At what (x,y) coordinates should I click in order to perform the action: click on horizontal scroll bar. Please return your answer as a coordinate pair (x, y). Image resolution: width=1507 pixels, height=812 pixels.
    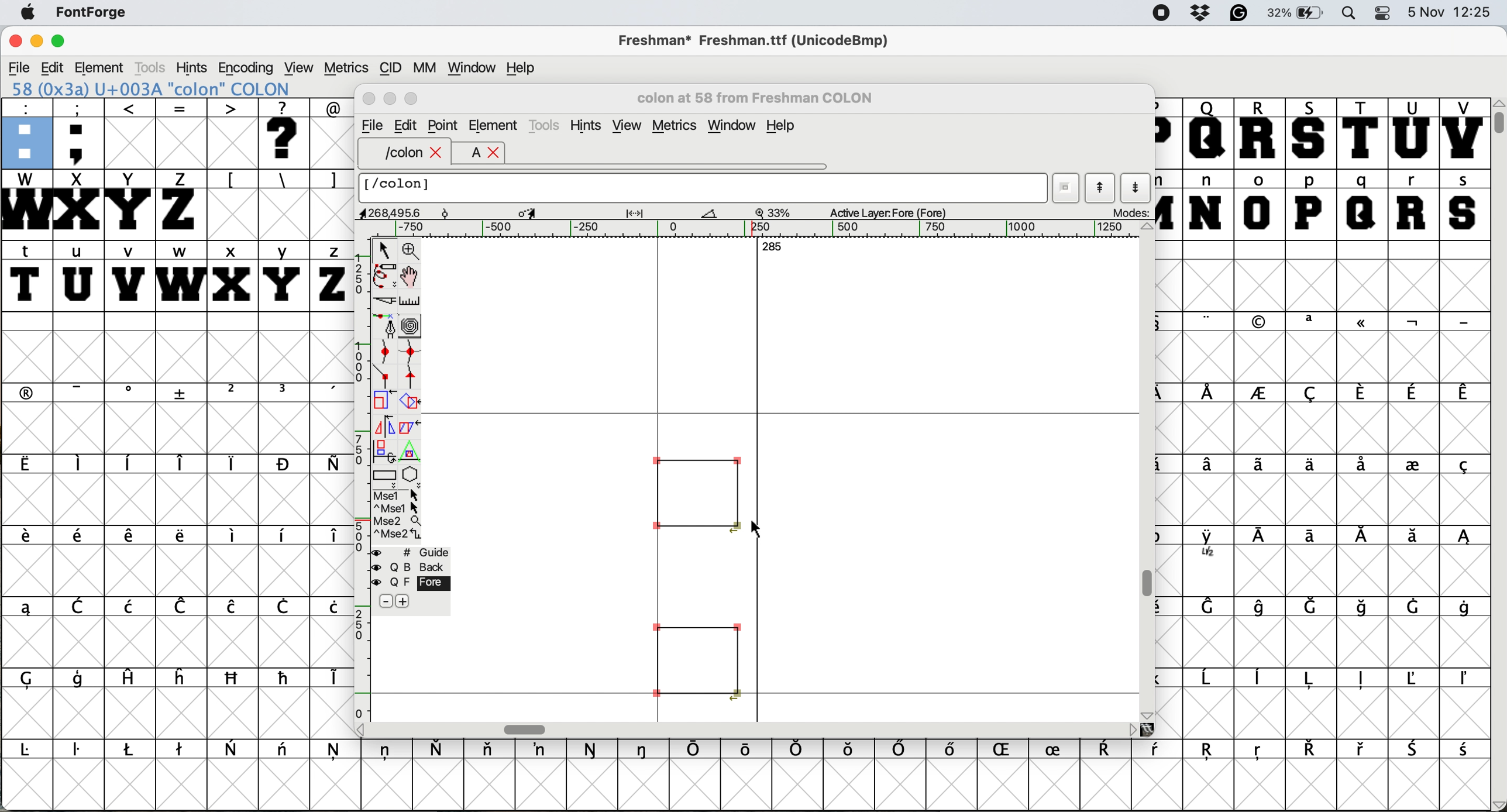
    Looking at the image, I should click on (755, 729).